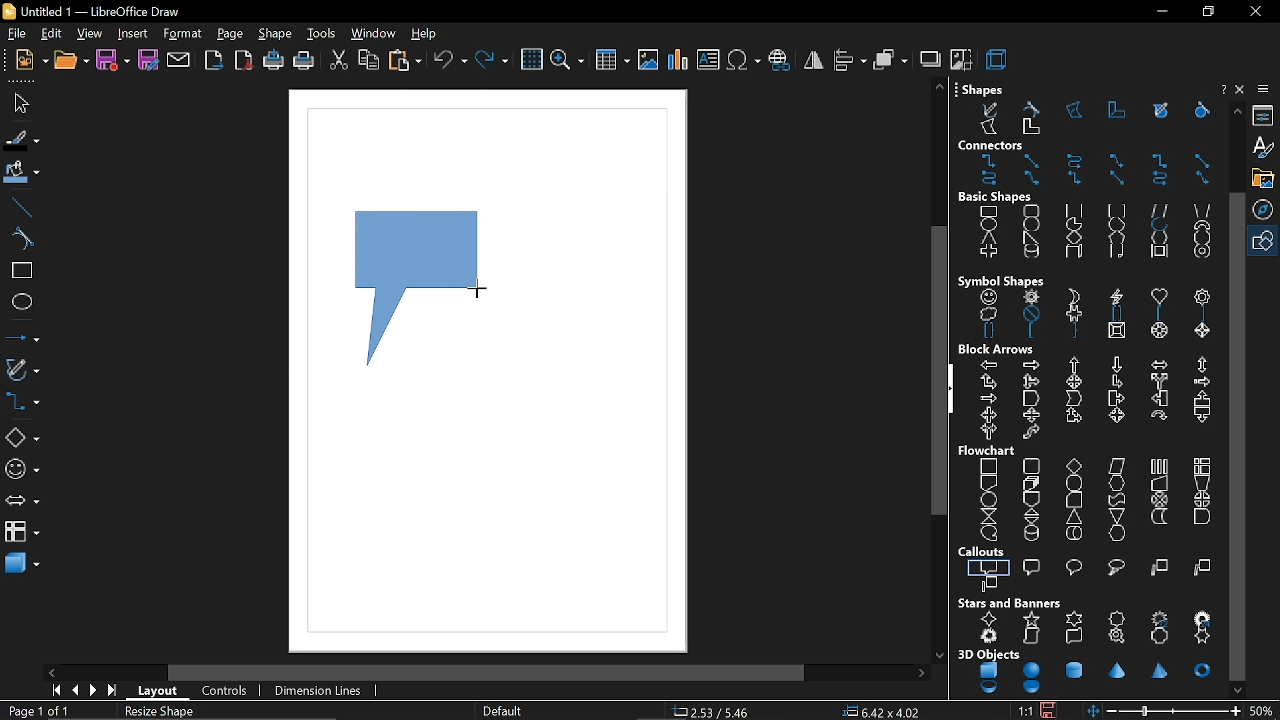 Image resolution: width=1280 pixels, height=720 pixels. I want to click on line, so click(19, 205).